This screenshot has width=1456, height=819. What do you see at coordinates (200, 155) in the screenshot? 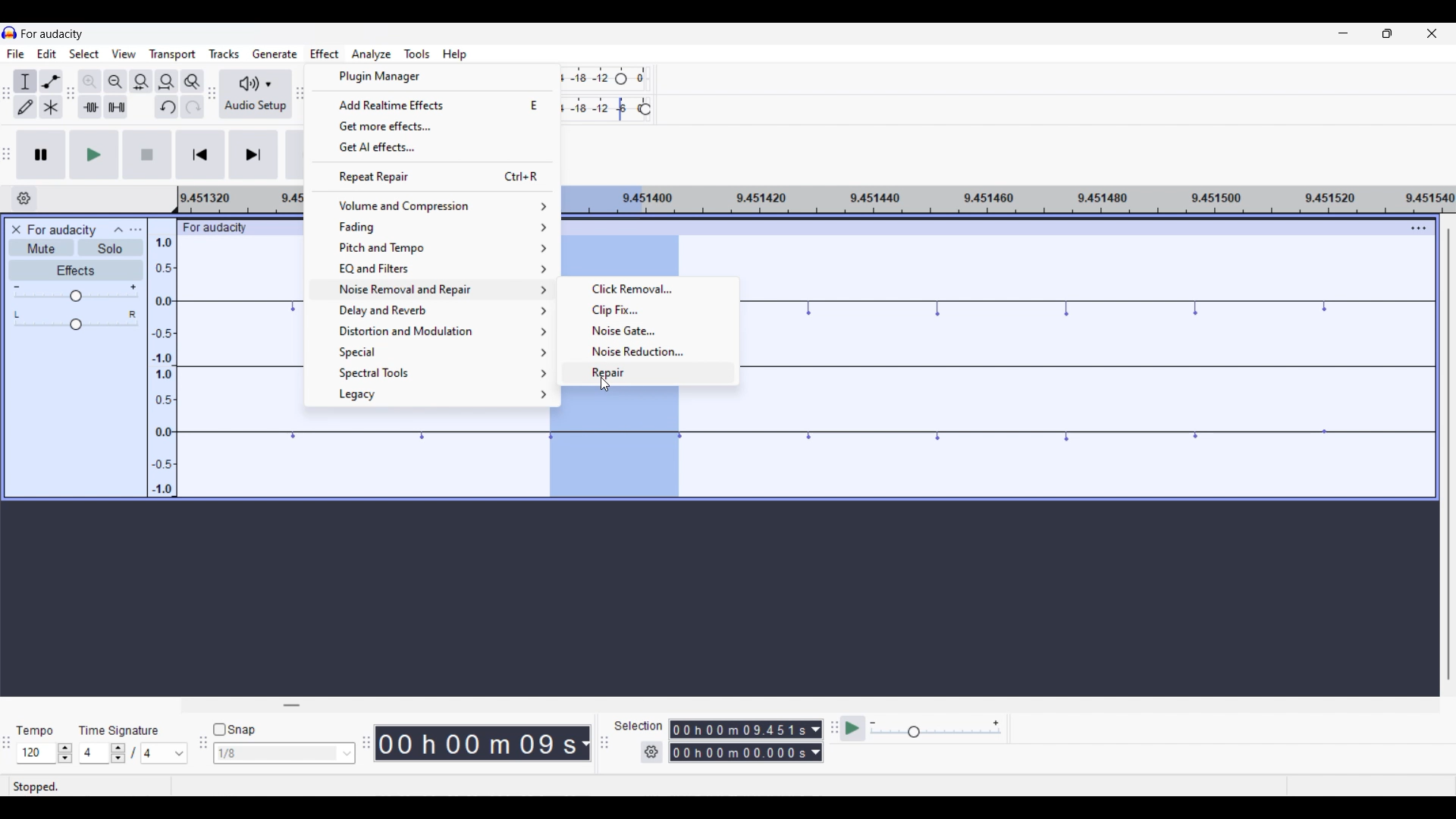
I see `Skip/Select to start` at bounding box center [200, 155].